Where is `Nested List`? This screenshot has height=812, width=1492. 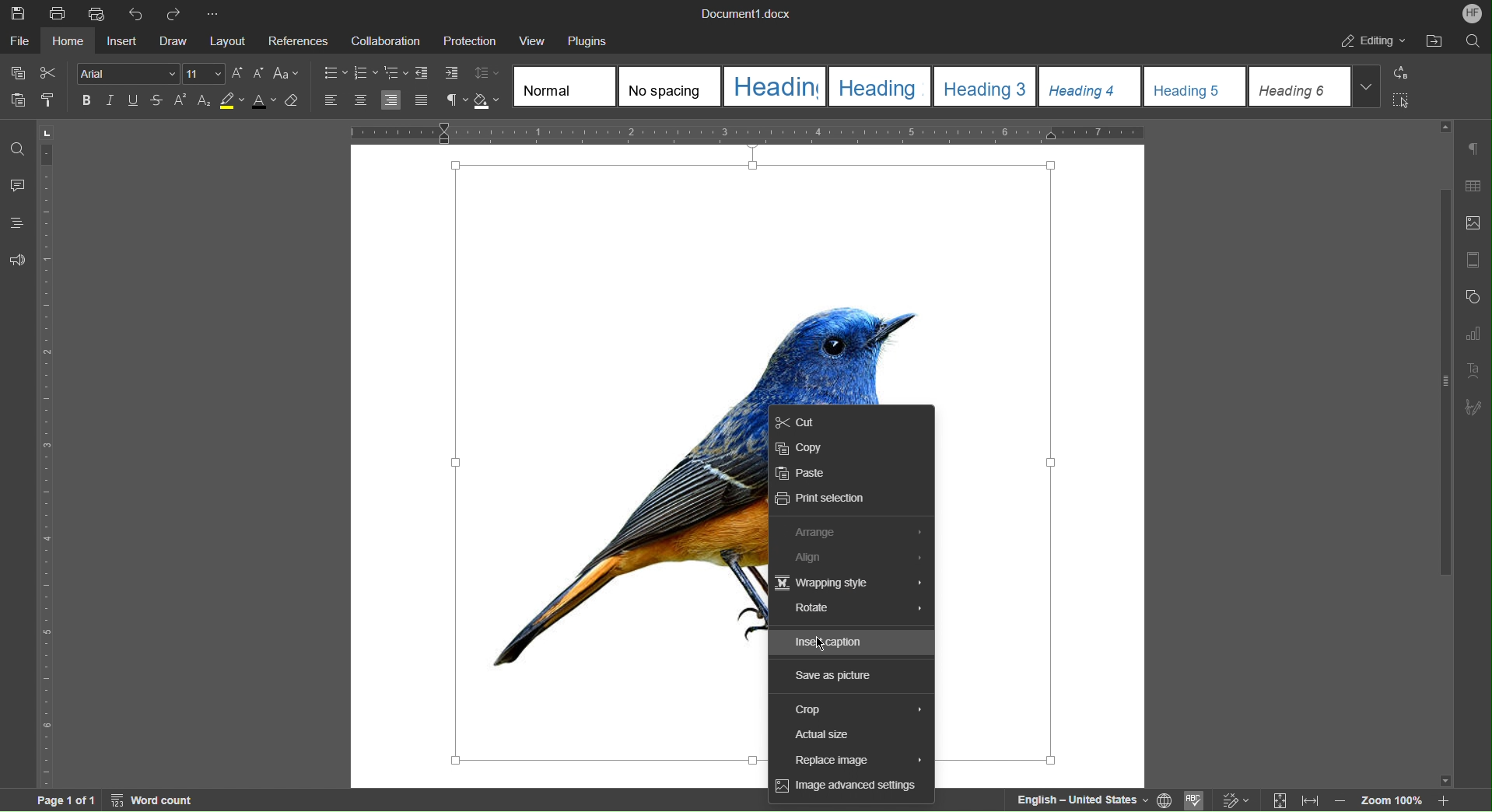 Nested List is located at coordinates (398, 73).